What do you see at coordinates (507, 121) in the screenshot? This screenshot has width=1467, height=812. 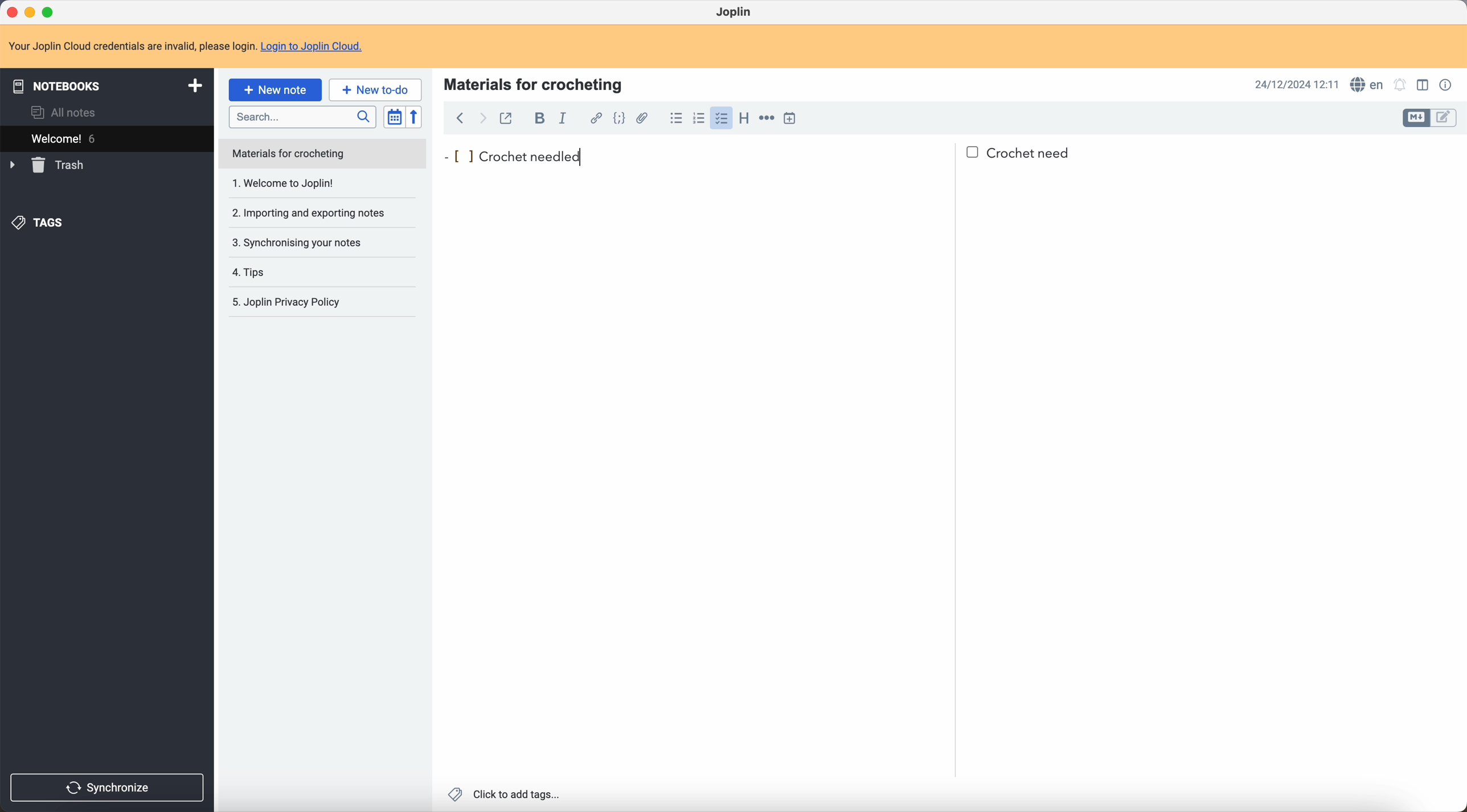 I see `toggle external editing` at bounding box center [507, 121].